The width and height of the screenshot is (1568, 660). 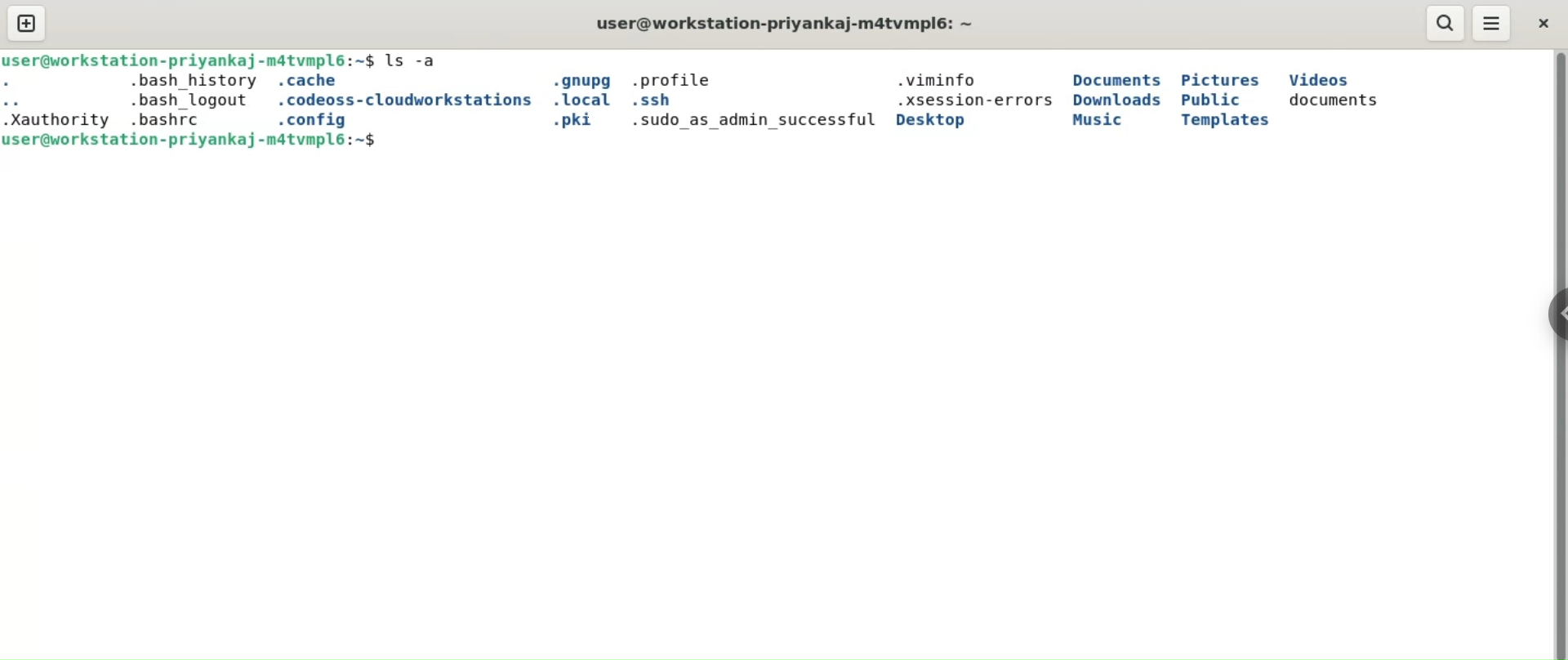 What do you see at coordinates (1222, 79) in the screenshot?
I see `Pictures` at bounding box center [1222, 79].